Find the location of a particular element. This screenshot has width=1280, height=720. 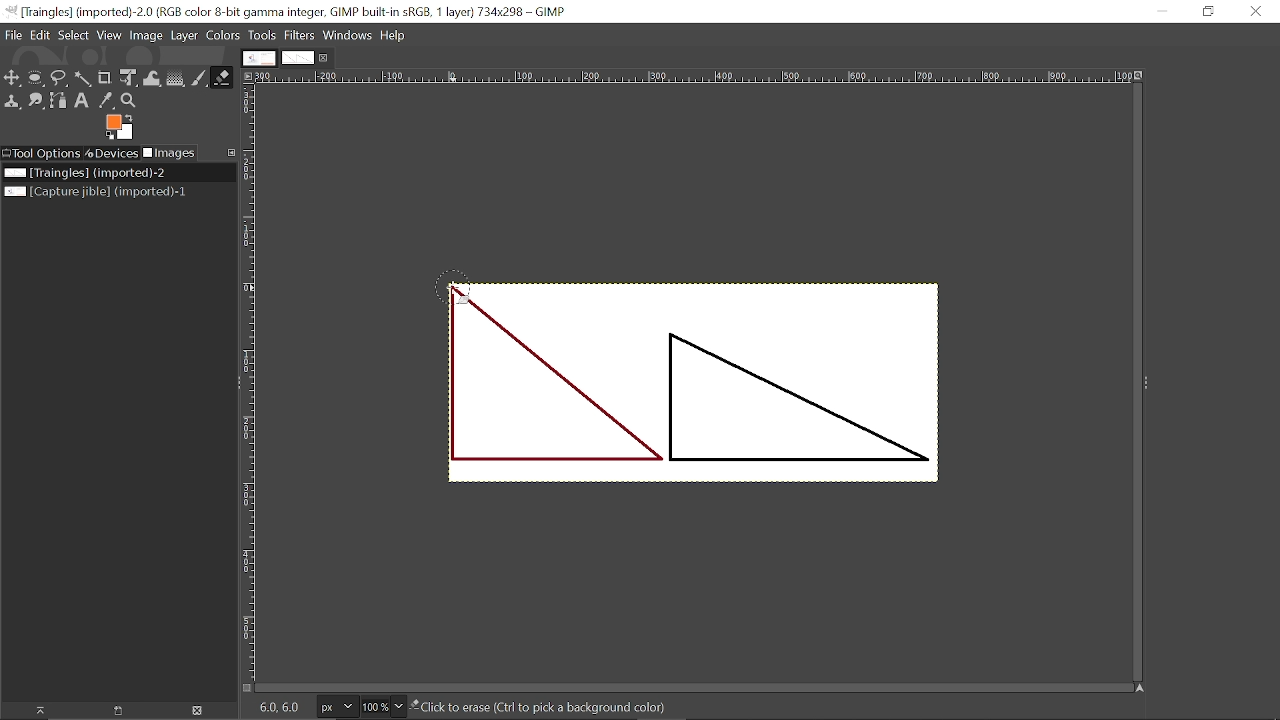

File is located at coordinates (13, 36).